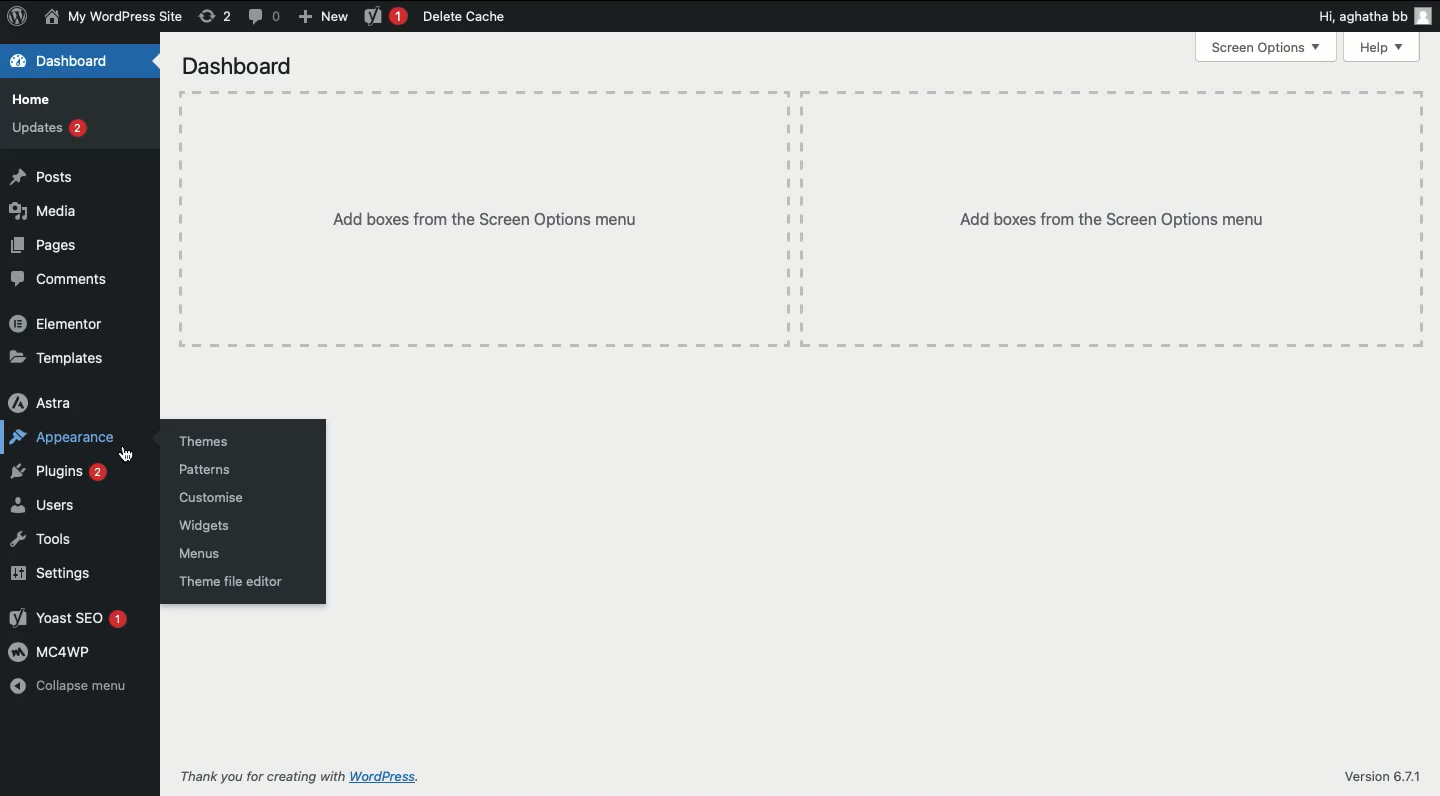 This screenshot has width=1440, height=796. Describe the element at coordinates (1376, 771) in the screenshot. I see `Version 6.7.1` at that location.